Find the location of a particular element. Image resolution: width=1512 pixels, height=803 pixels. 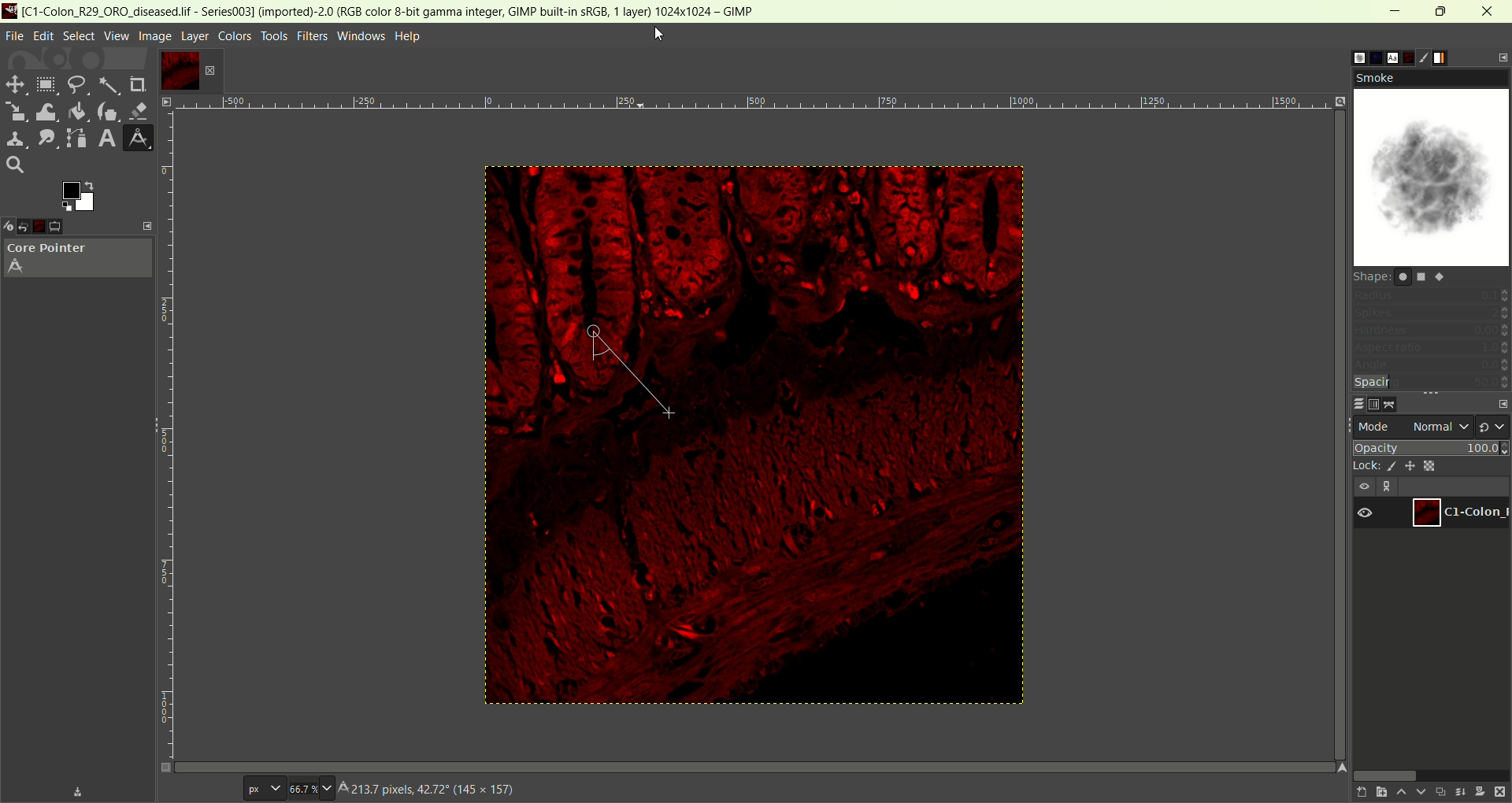

crop is located at coordinates (139, 85).